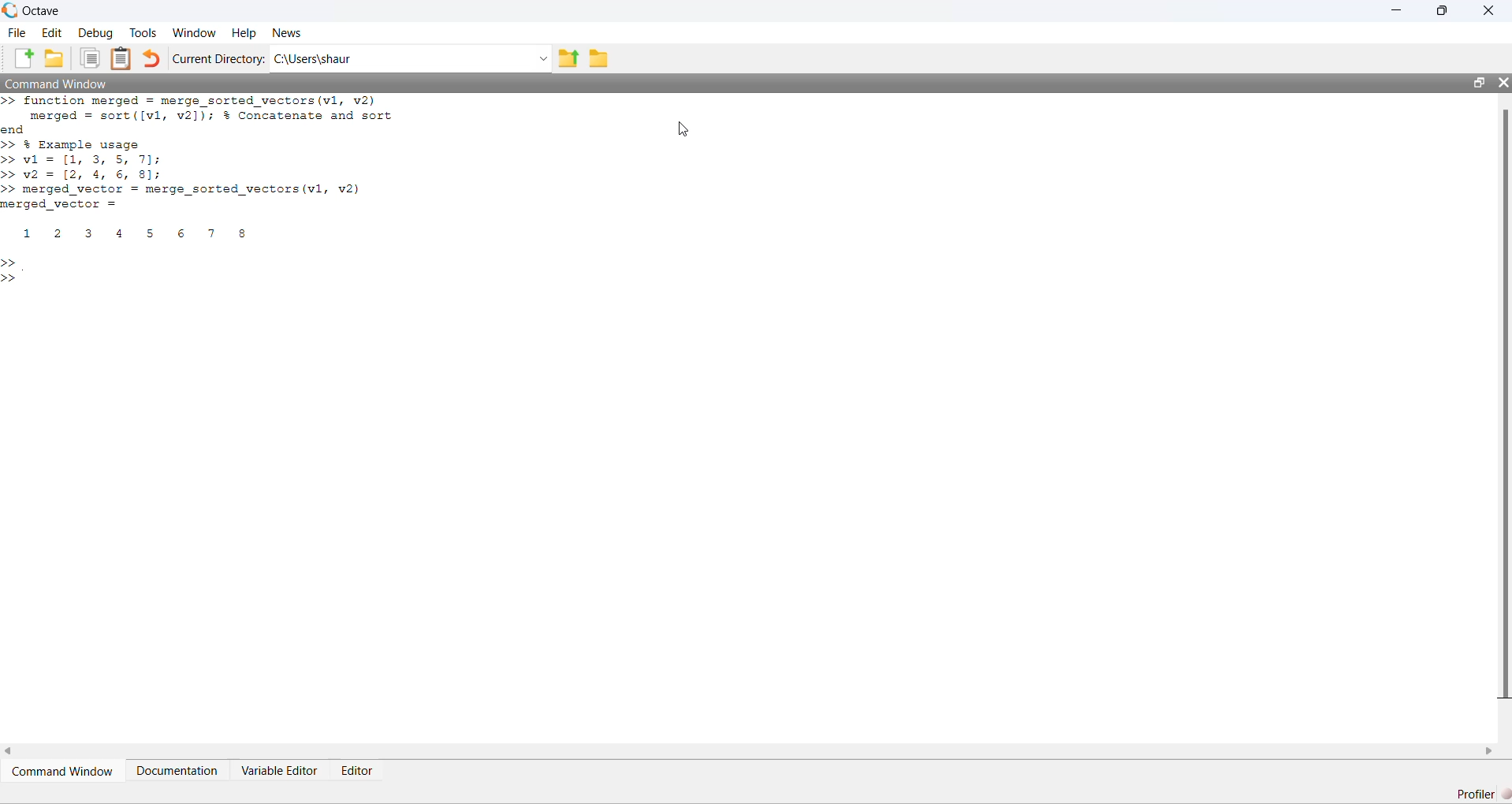  What do you see at coordinates (1504, 83) in the screenshot?
I see `close` at bounding box center [1504, 83].